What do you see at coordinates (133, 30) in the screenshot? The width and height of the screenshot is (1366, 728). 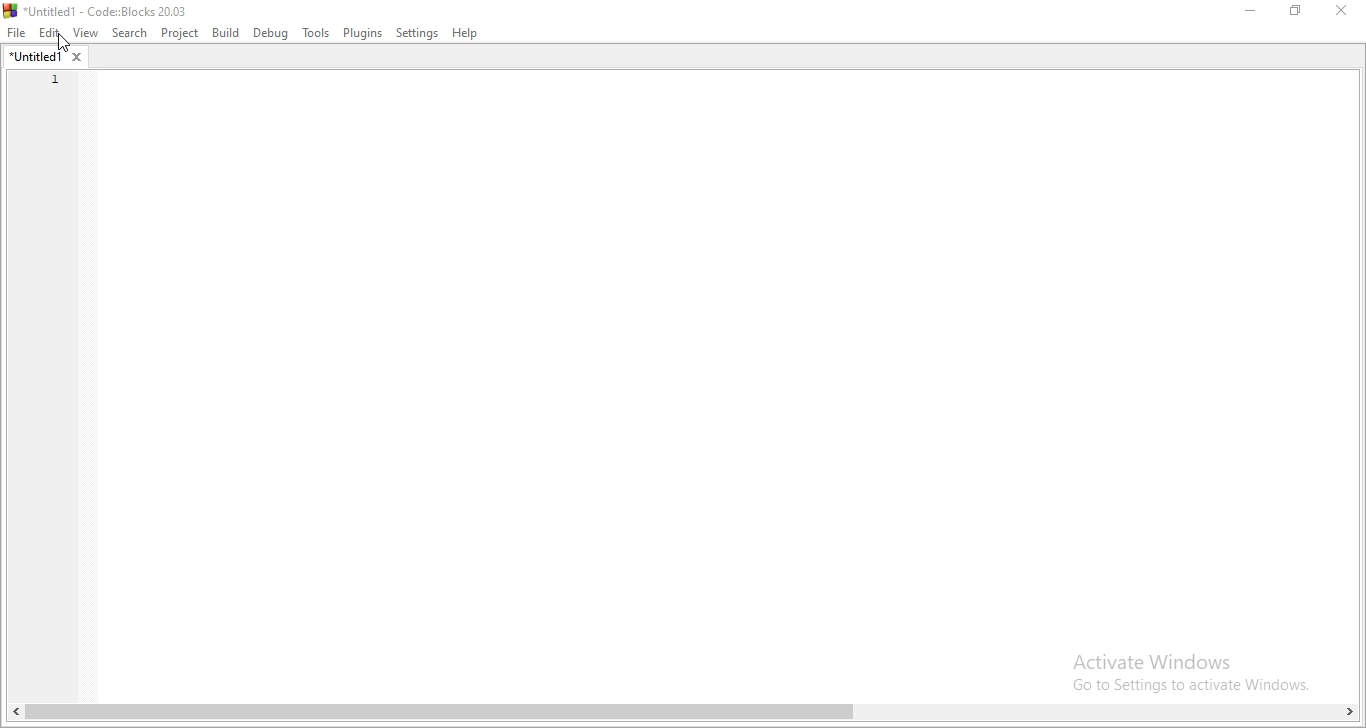 I see `search` at bounding box center [133, 30].